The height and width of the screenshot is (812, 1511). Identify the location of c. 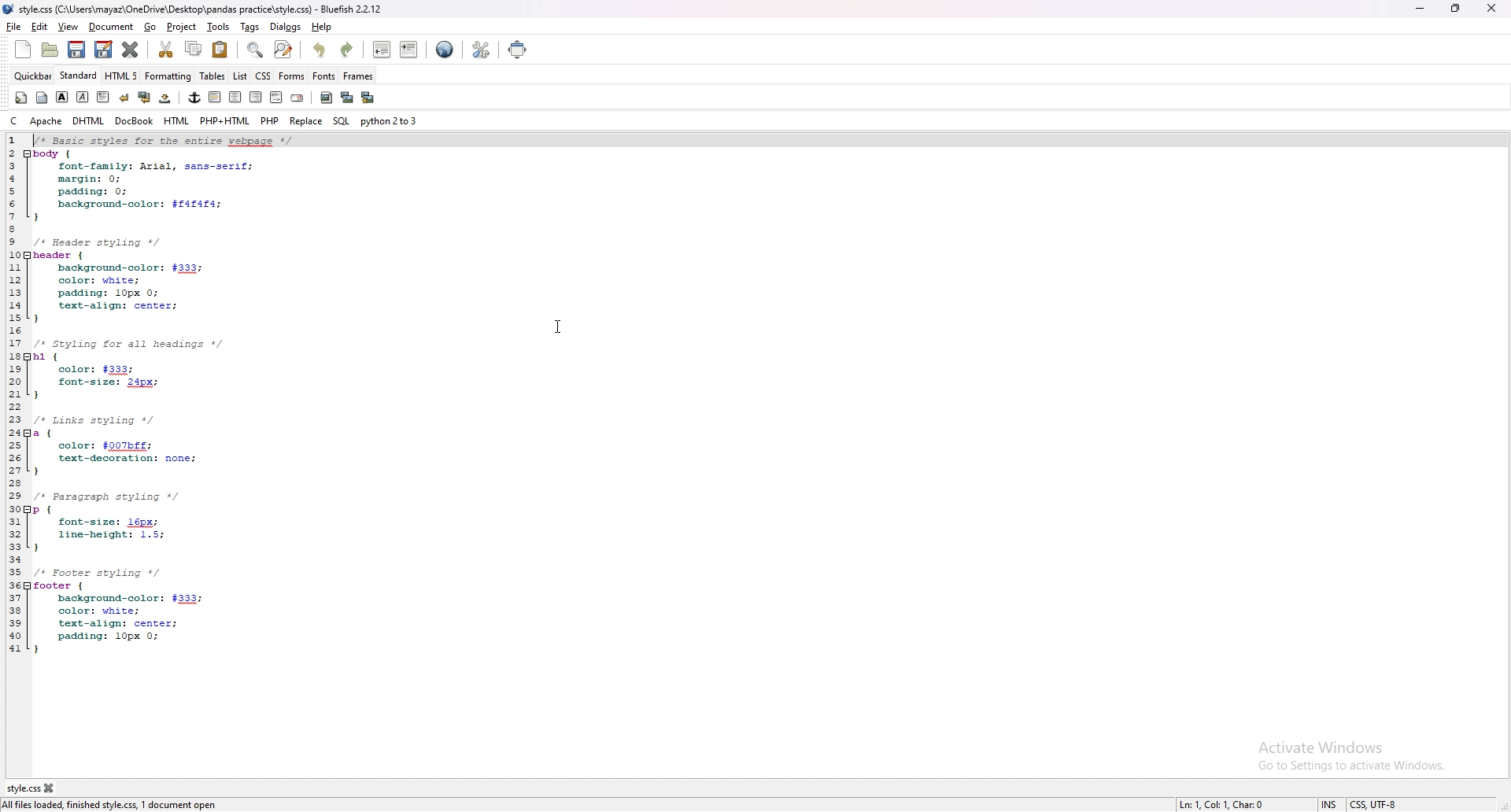
(16, 120).